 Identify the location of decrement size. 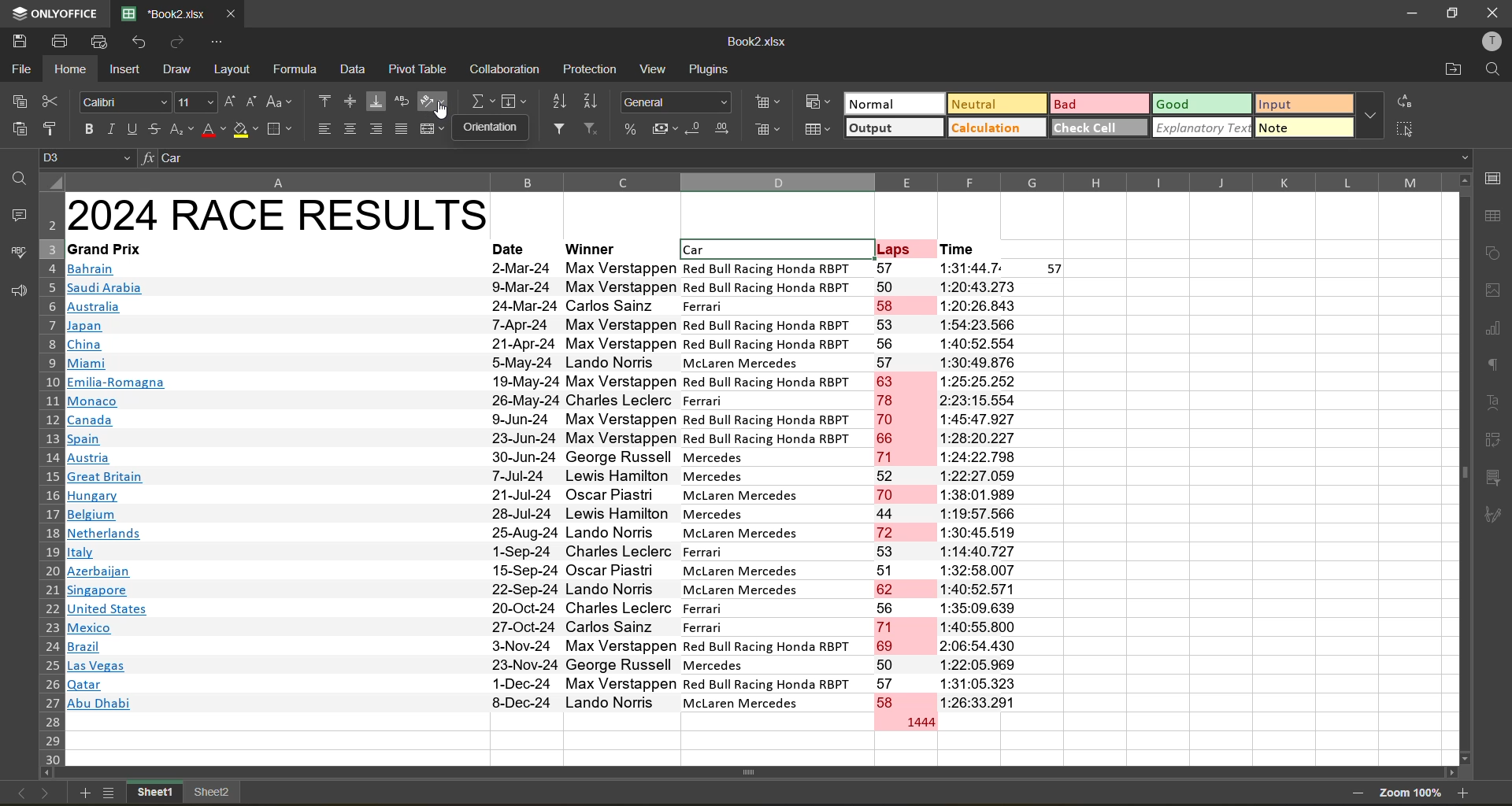
(254, 102).